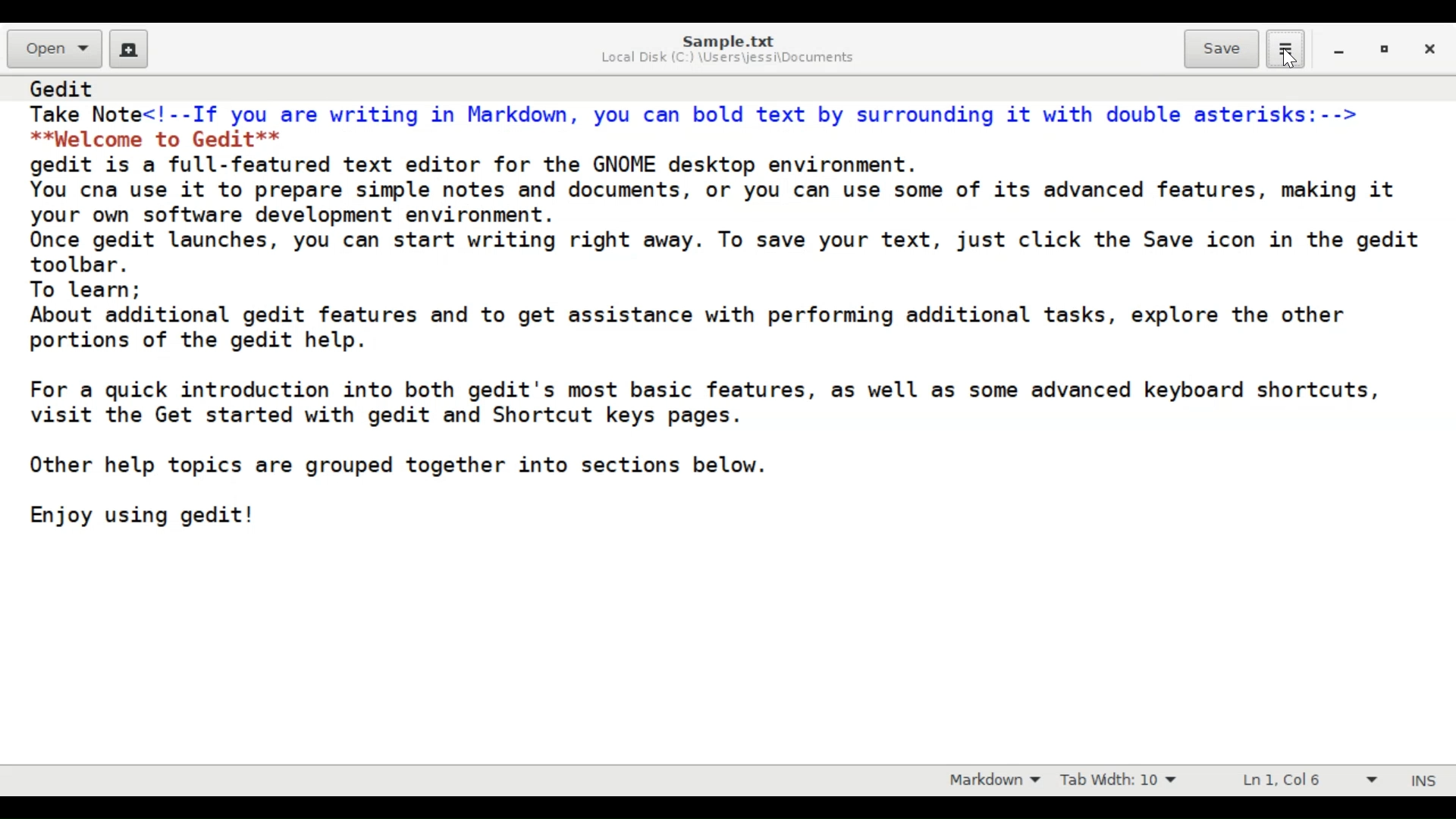 This screenshot has height=819, width=1456. What do you see at coordinates (995, 780) in the screenshot?
I see `Highlight mode: Markdown` at bounding box center [995, 780].